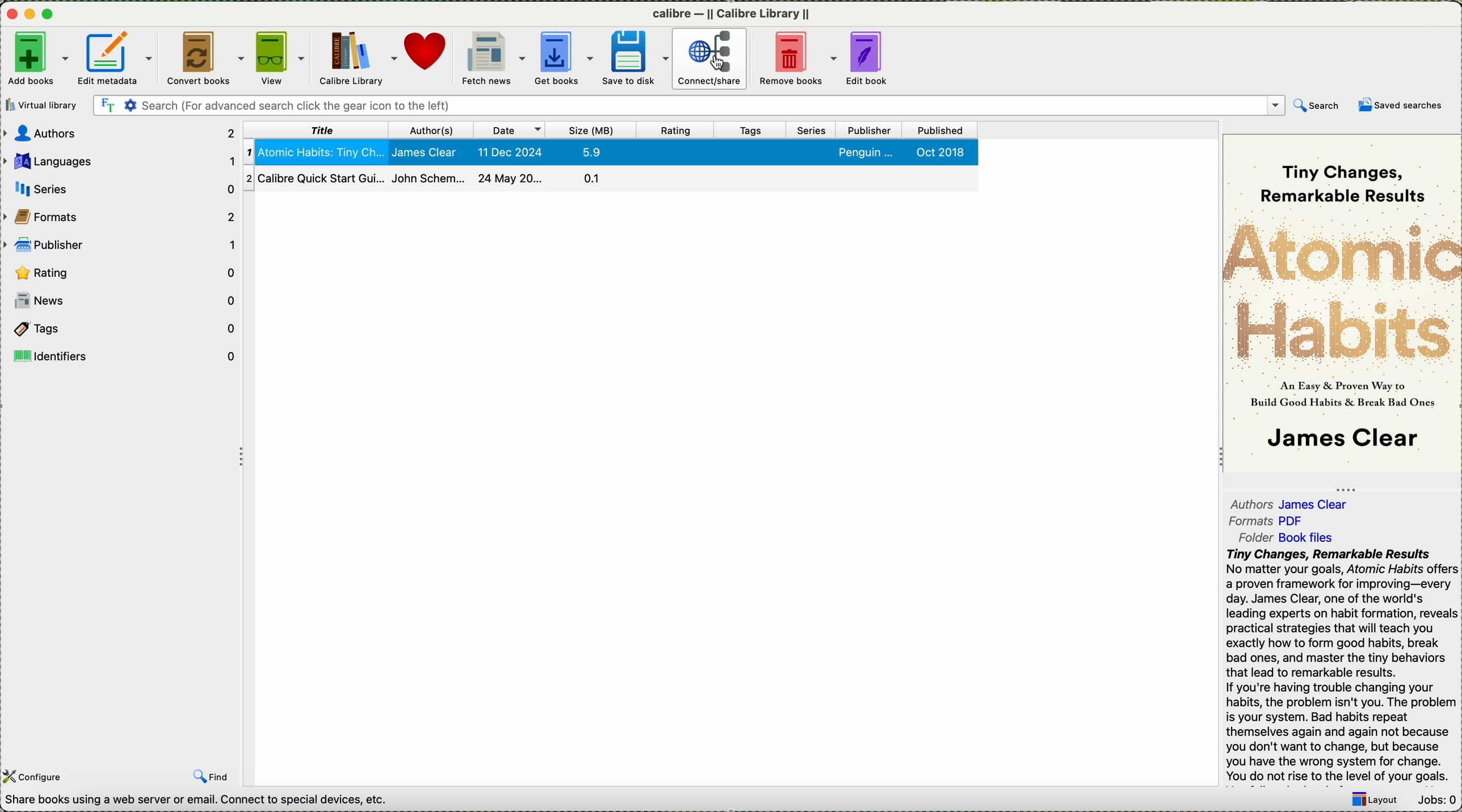 The height and width of the screenshot is (812, 1462). What do you see at coordinates (120, 161) in the screenshot?
I see `languages` at bounding box center [120, 161].